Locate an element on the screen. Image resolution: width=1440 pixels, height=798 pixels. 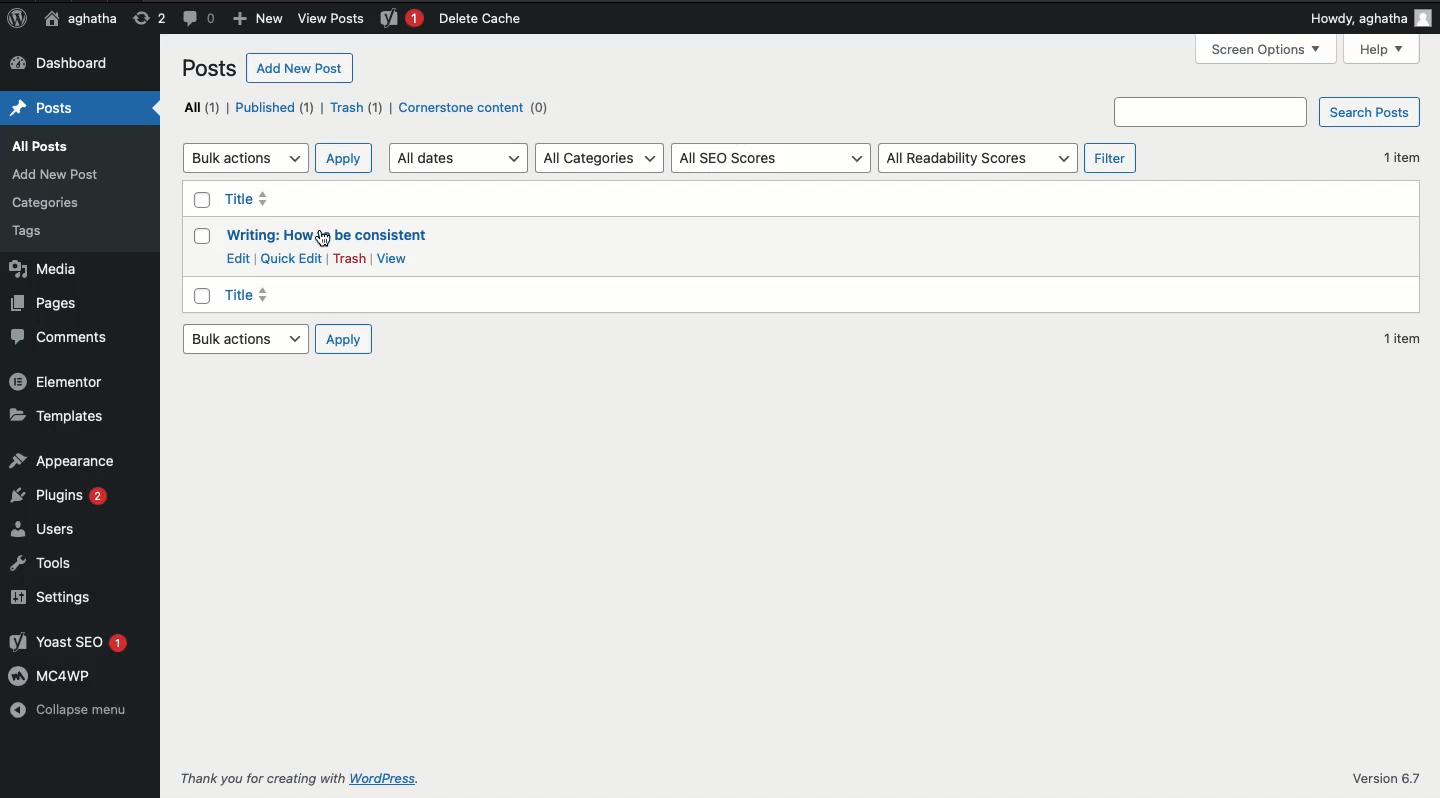
All categories is located at coordinates (599, 158).